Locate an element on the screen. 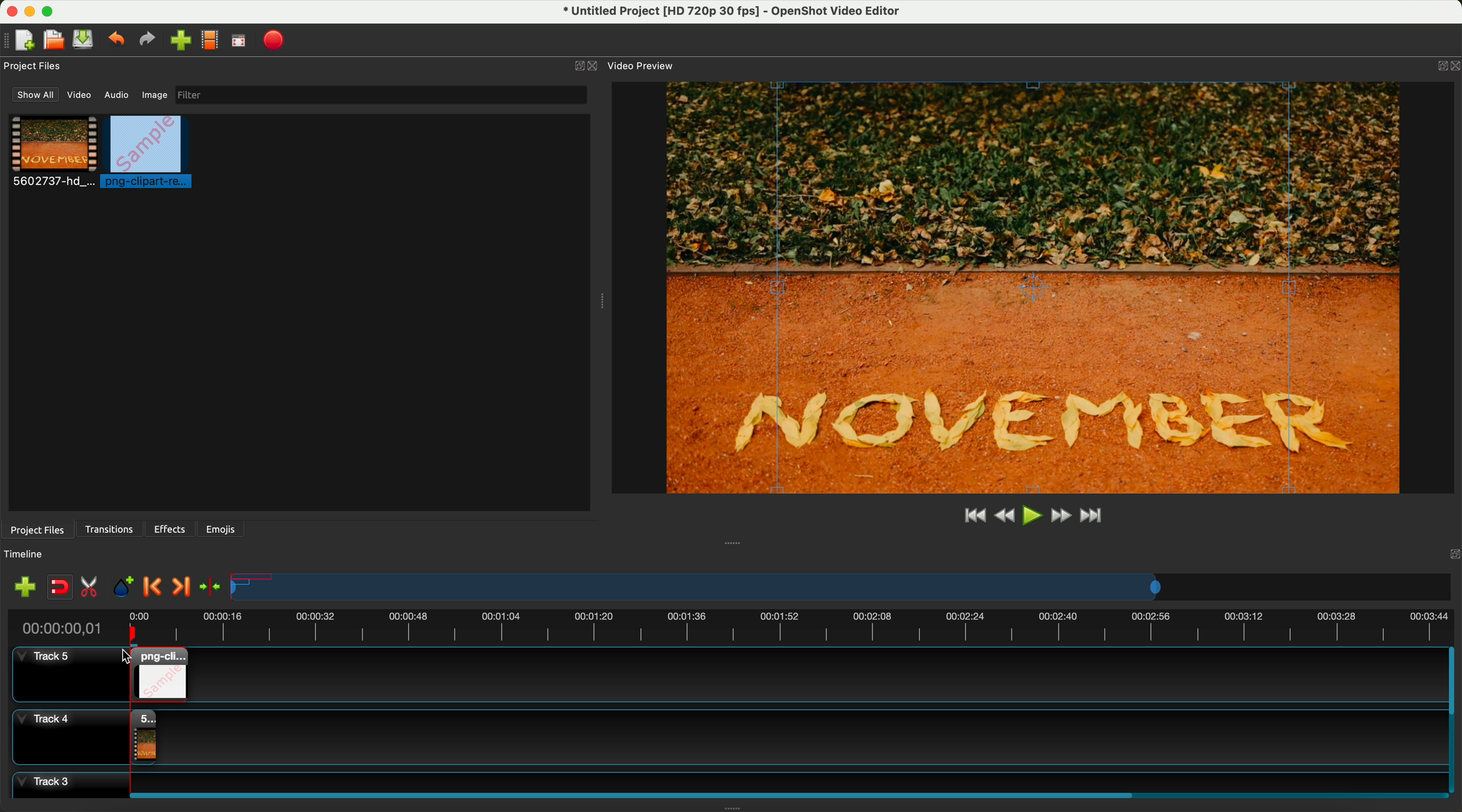  Window Expanding is located at coordinates (733, 808).